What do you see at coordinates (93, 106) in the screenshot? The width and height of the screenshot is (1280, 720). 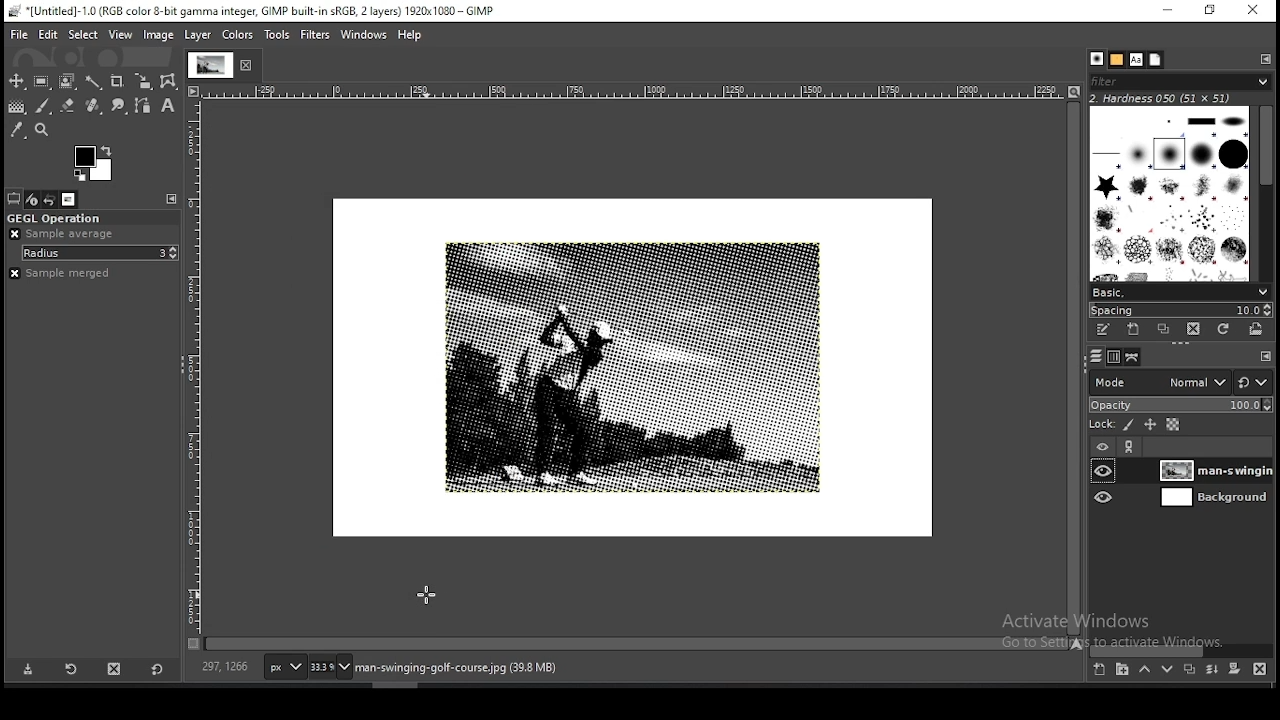 I see `healing tool` at bounding box center [93, 106].